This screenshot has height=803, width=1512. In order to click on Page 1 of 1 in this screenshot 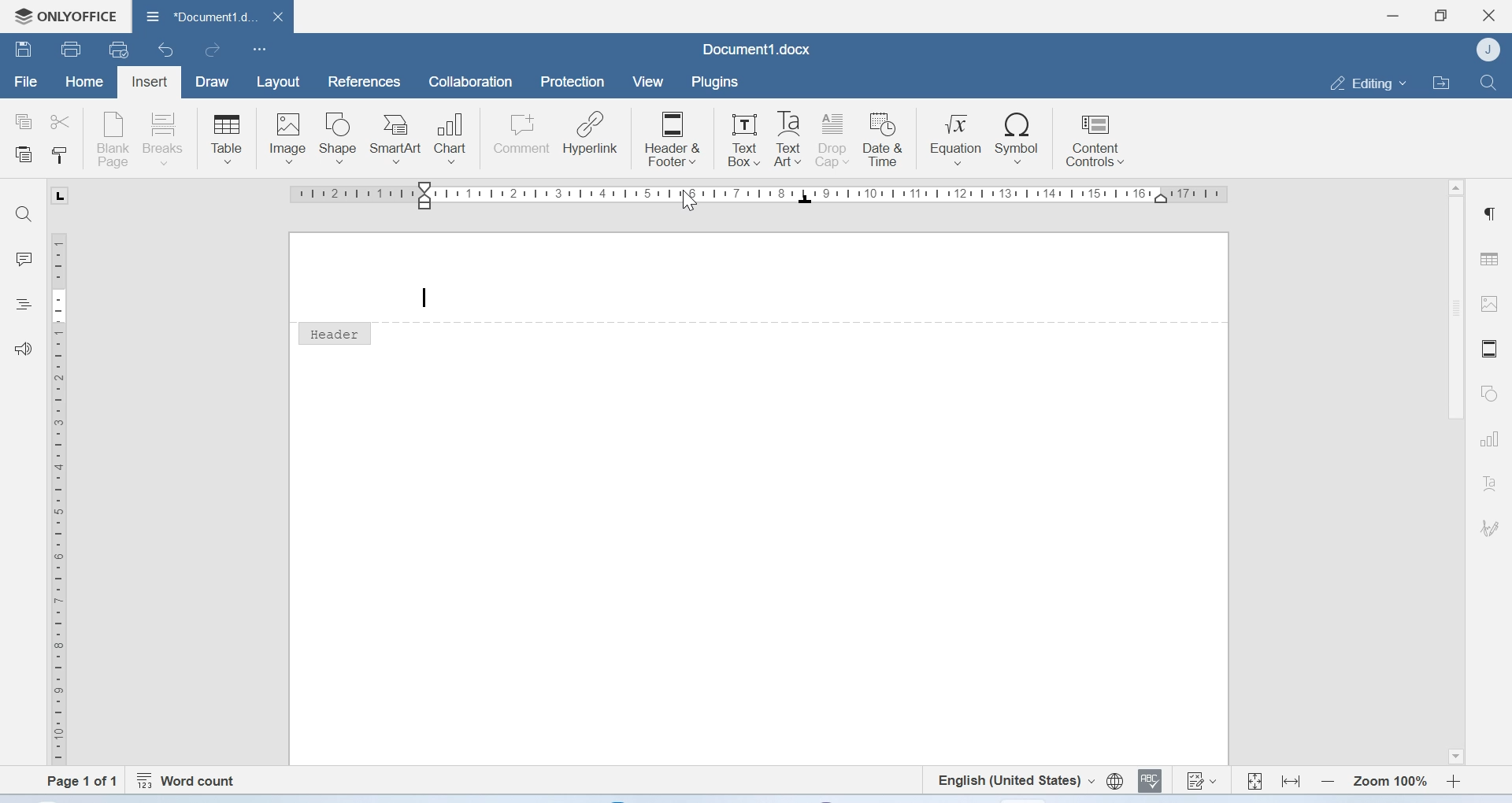, I will do `click(74, 781)`.